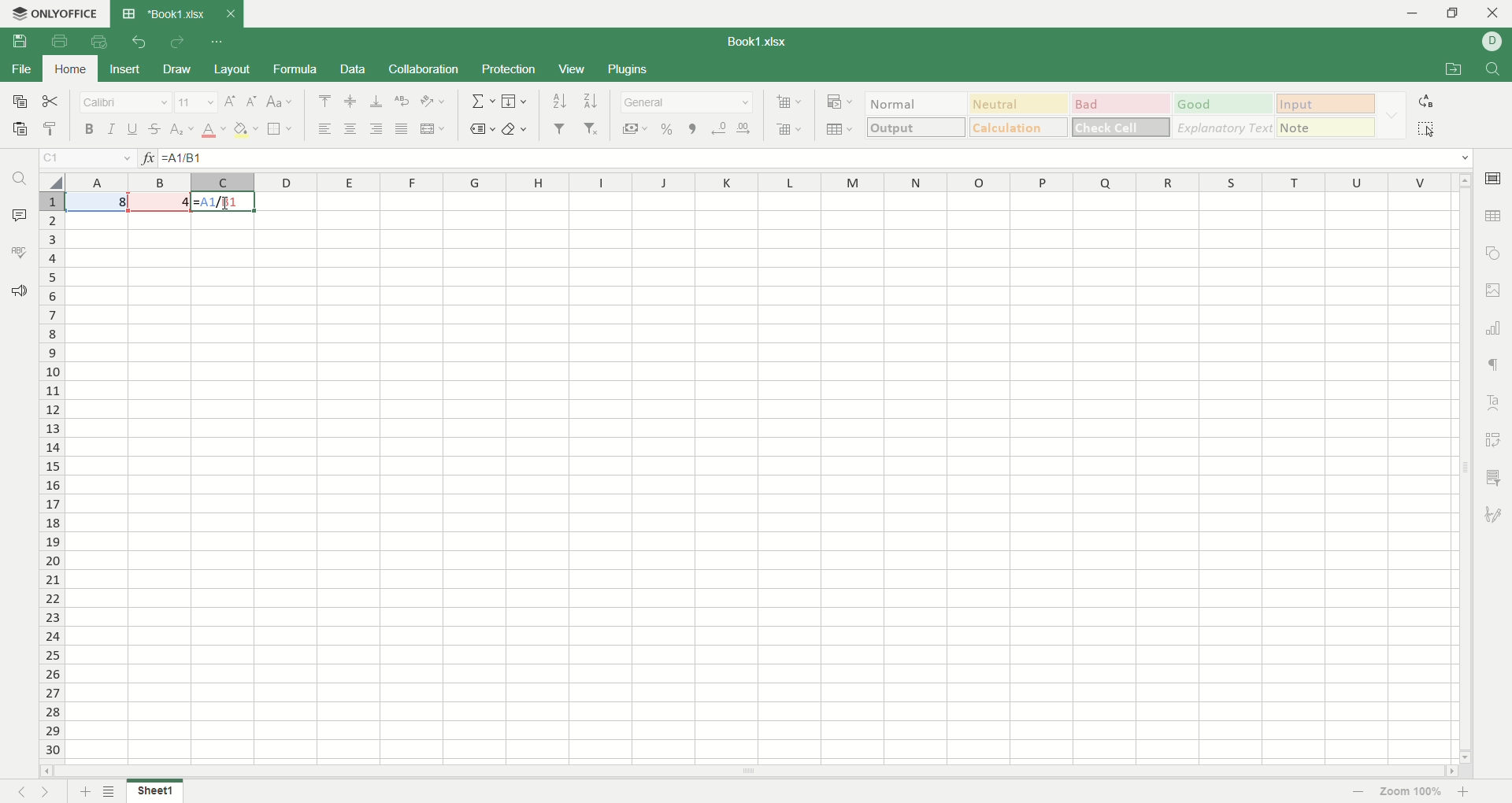  What do you see at coordinates (17, 213) in the screenshot?
I see `comment` at bounding box center [17, 213].